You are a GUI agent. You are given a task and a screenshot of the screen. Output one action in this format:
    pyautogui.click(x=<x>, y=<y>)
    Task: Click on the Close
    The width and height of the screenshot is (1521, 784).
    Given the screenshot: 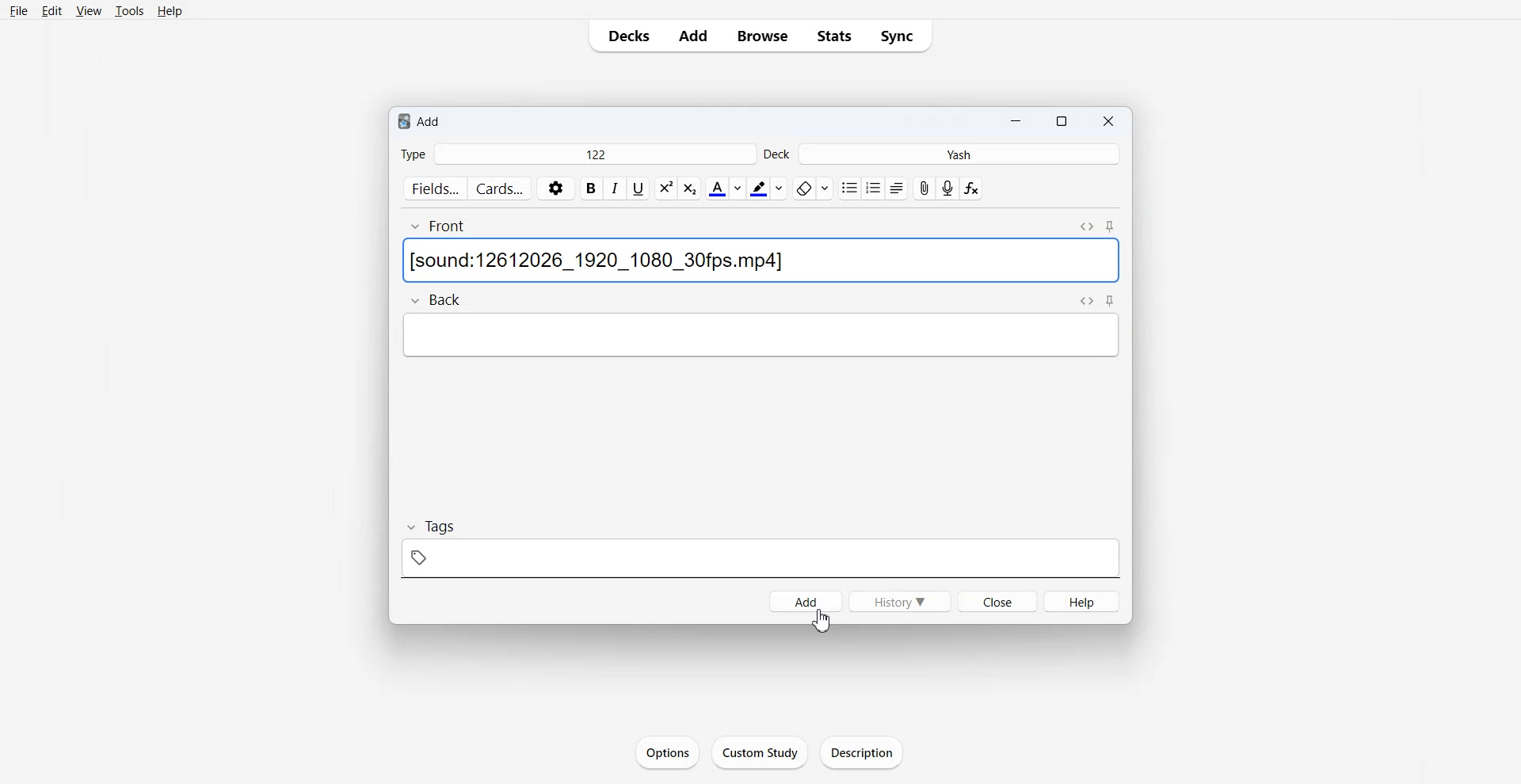 What is the action you would take?
    pyautogui.click(x=1107, y=120)
    